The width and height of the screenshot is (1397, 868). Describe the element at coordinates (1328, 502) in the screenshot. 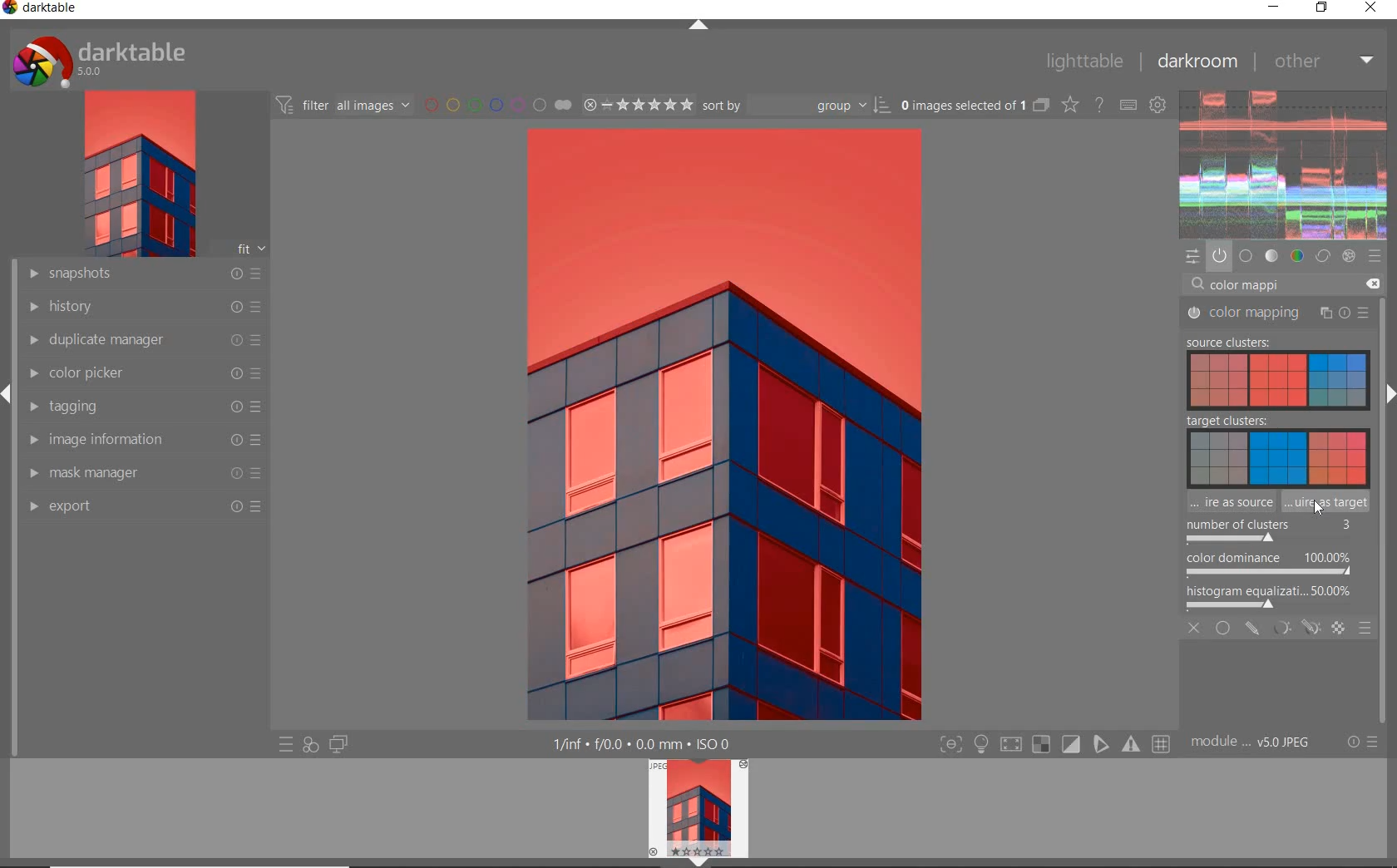

I see `ANALYZE THIS IMAGE AS TARGET IMAGE` at that location.